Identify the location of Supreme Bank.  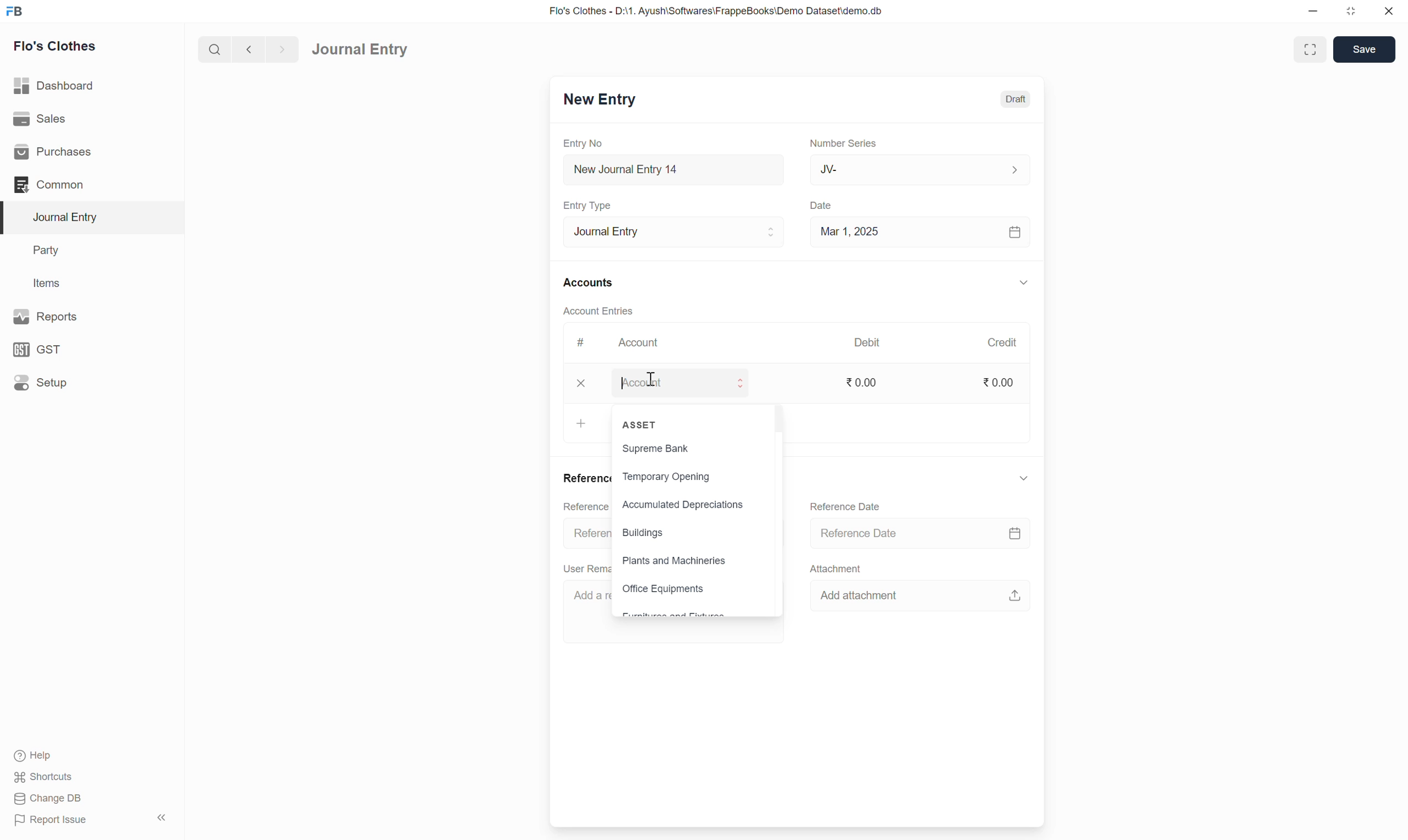
(661, 448).